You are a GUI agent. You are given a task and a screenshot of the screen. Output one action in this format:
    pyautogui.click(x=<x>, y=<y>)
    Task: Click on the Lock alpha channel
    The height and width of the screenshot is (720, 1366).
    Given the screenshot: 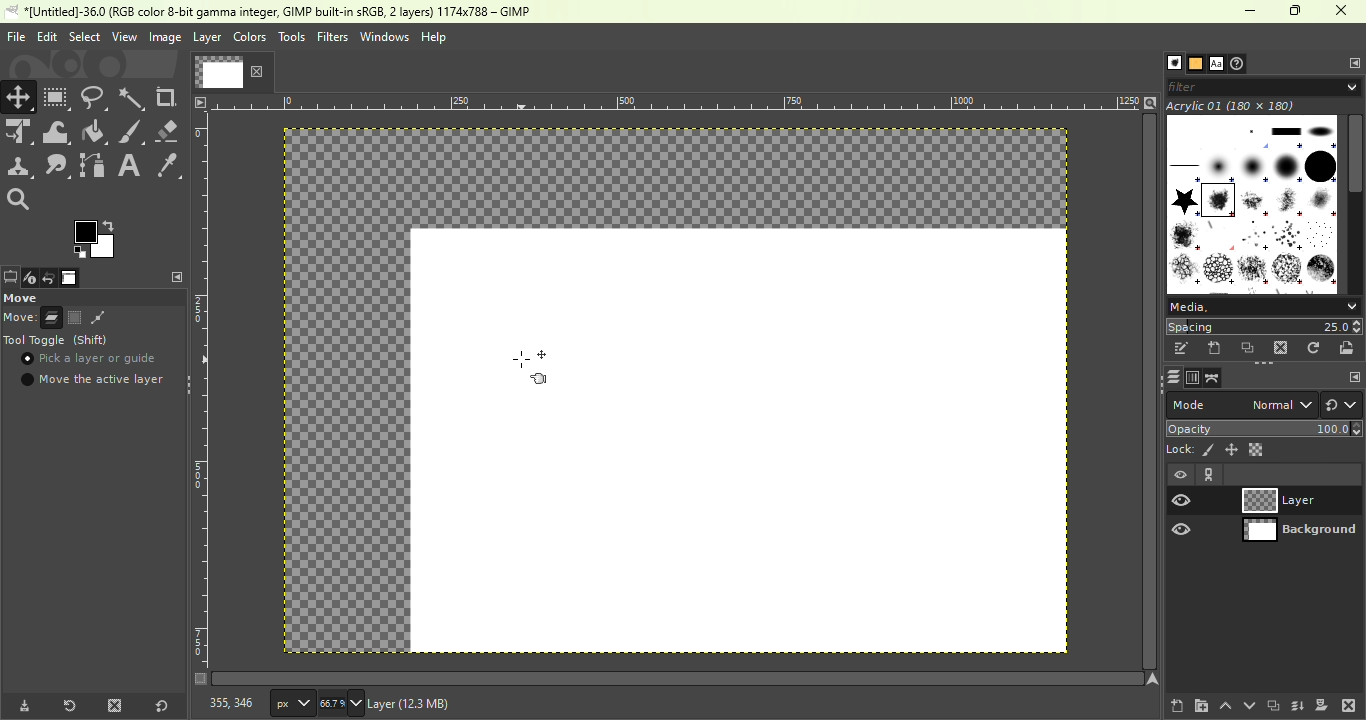 What is the action you would take?
    pyautogui.click(x=1257, y=449)
    